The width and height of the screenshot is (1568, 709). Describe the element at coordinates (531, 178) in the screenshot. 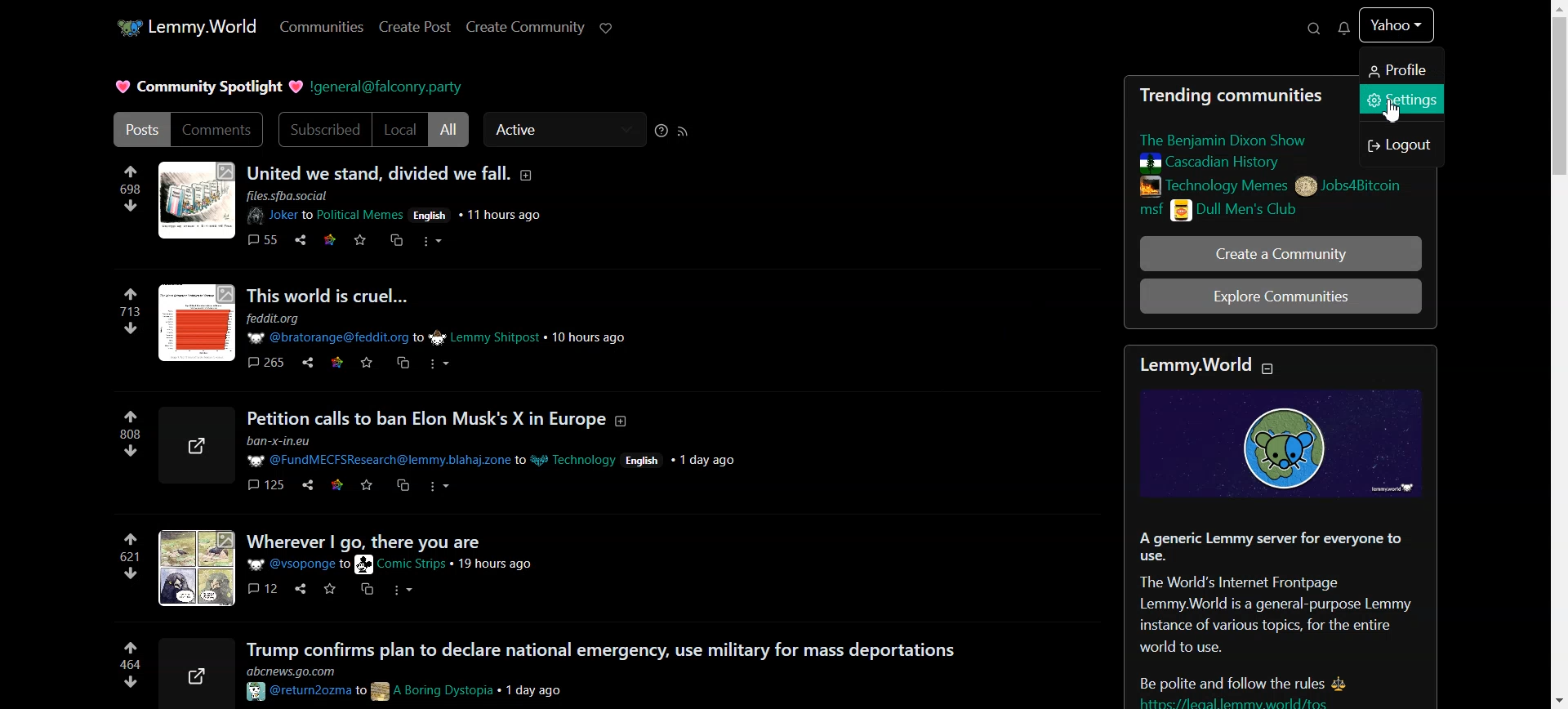

I see `add` at that location.